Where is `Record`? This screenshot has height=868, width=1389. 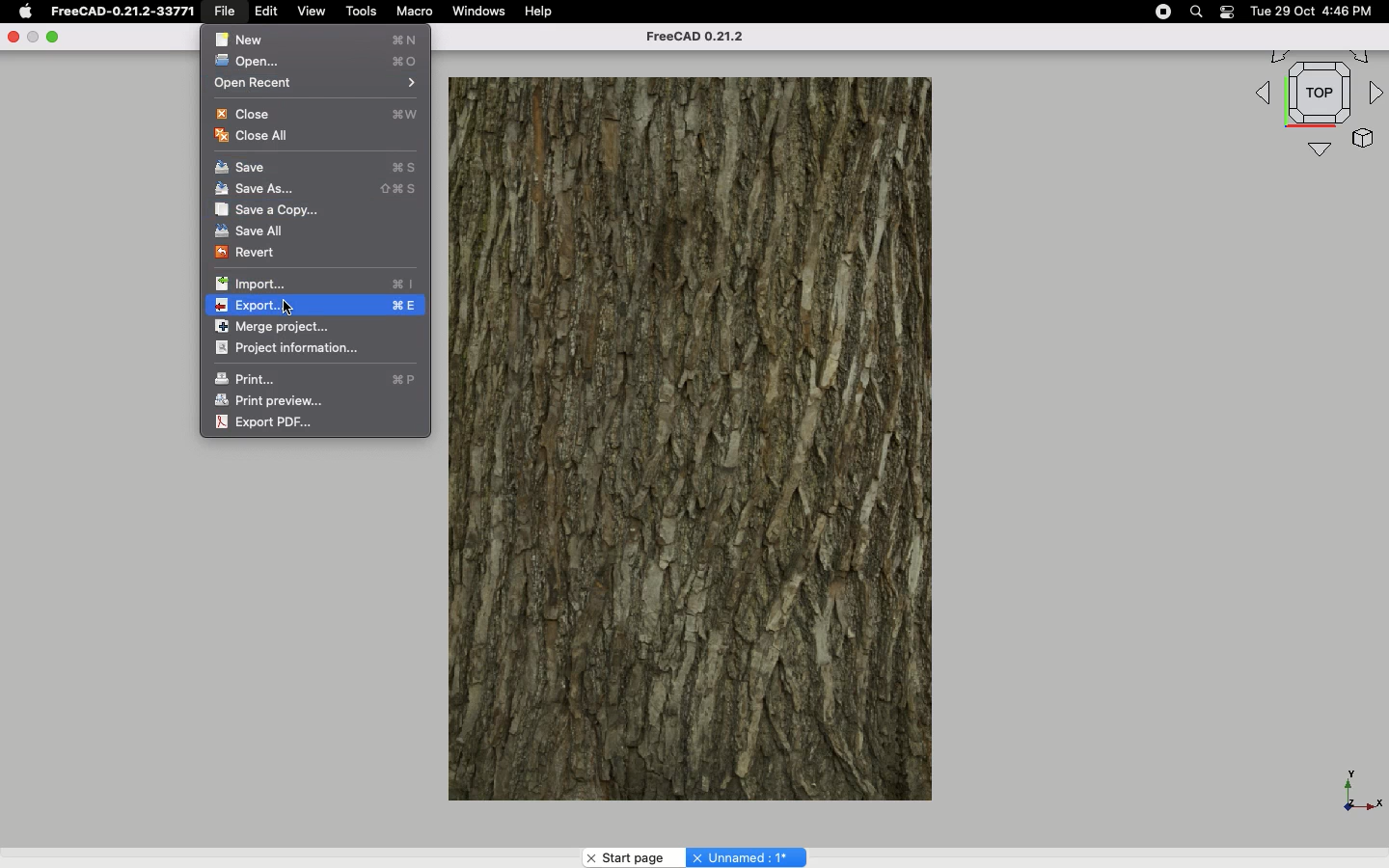
Record is located at coordinates (1158, 12).